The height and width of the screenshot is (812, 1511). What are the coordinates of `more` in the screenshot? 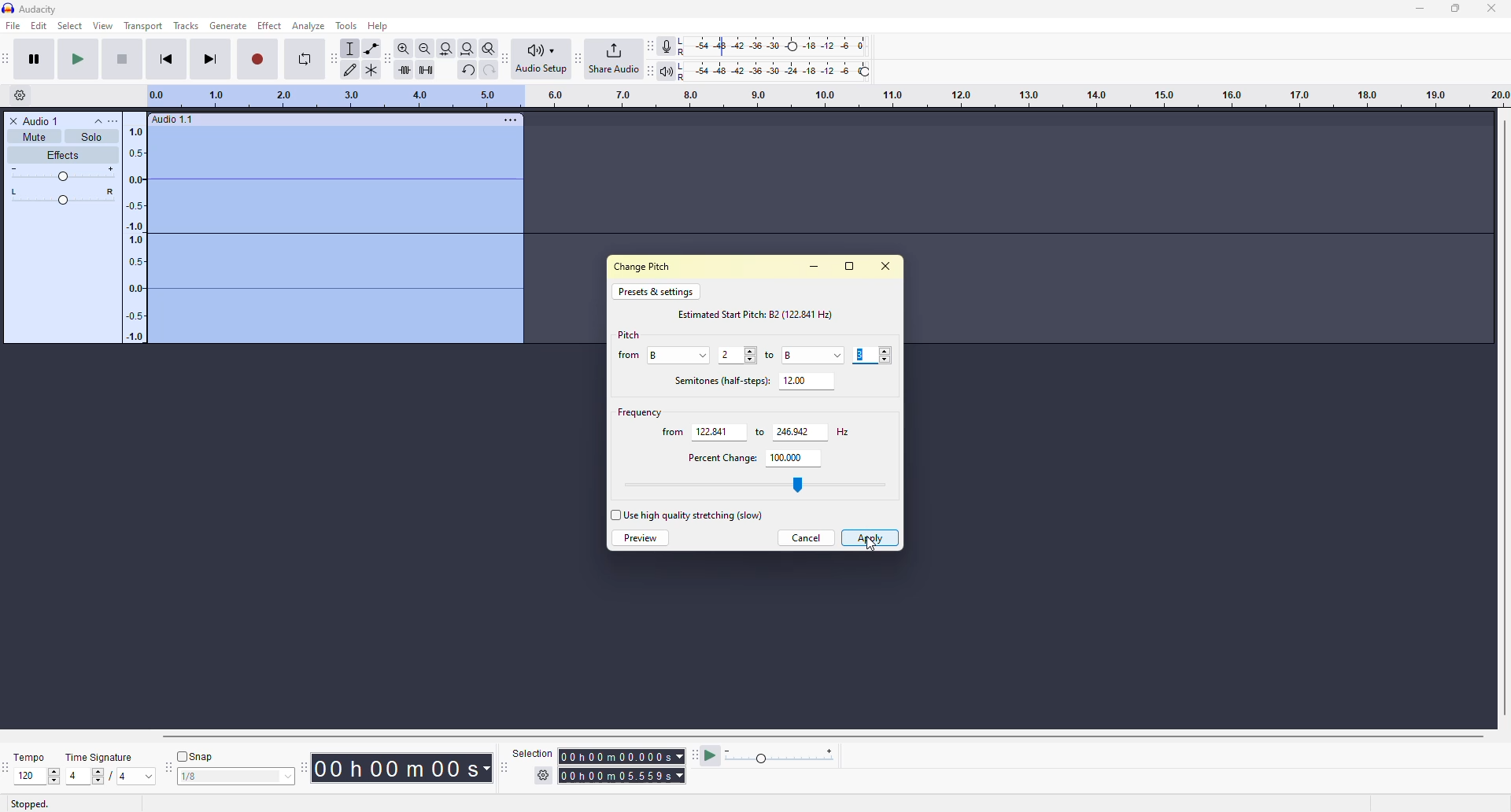 It's located at (510, 119).